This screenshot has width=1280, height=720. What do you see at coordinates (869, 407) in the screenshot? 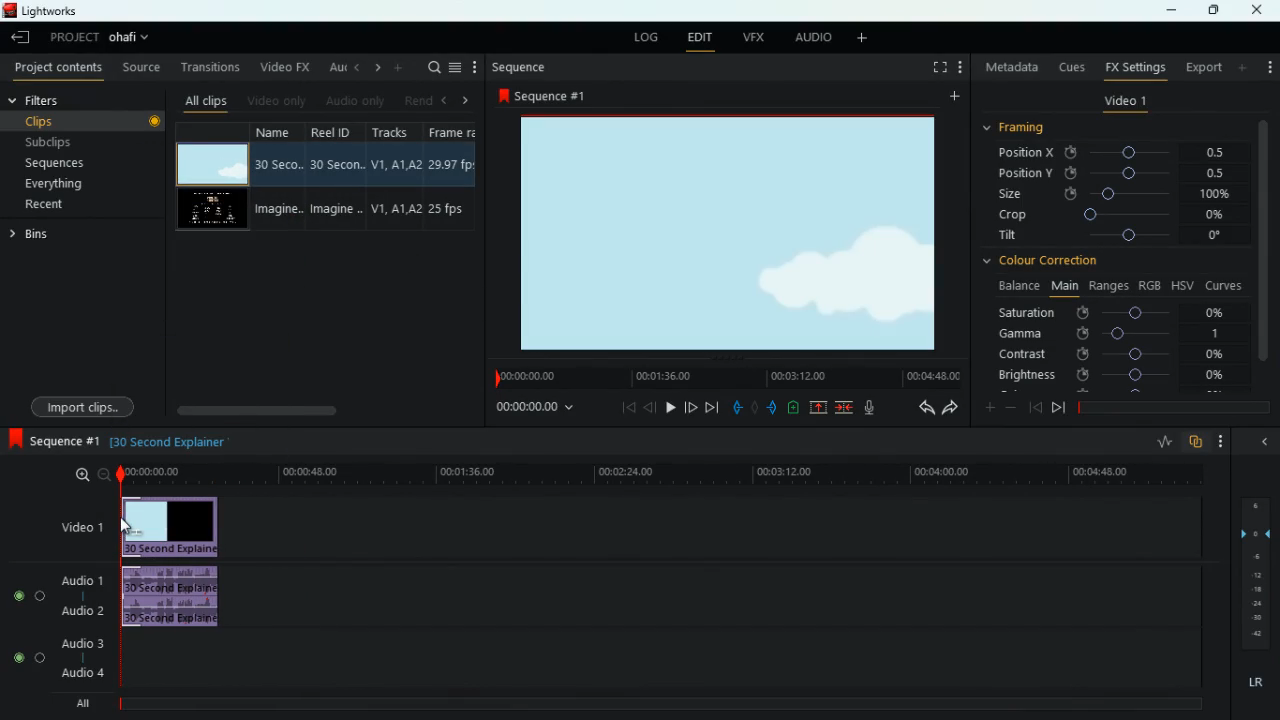
I see `mic` at bounding box center [869, 407].